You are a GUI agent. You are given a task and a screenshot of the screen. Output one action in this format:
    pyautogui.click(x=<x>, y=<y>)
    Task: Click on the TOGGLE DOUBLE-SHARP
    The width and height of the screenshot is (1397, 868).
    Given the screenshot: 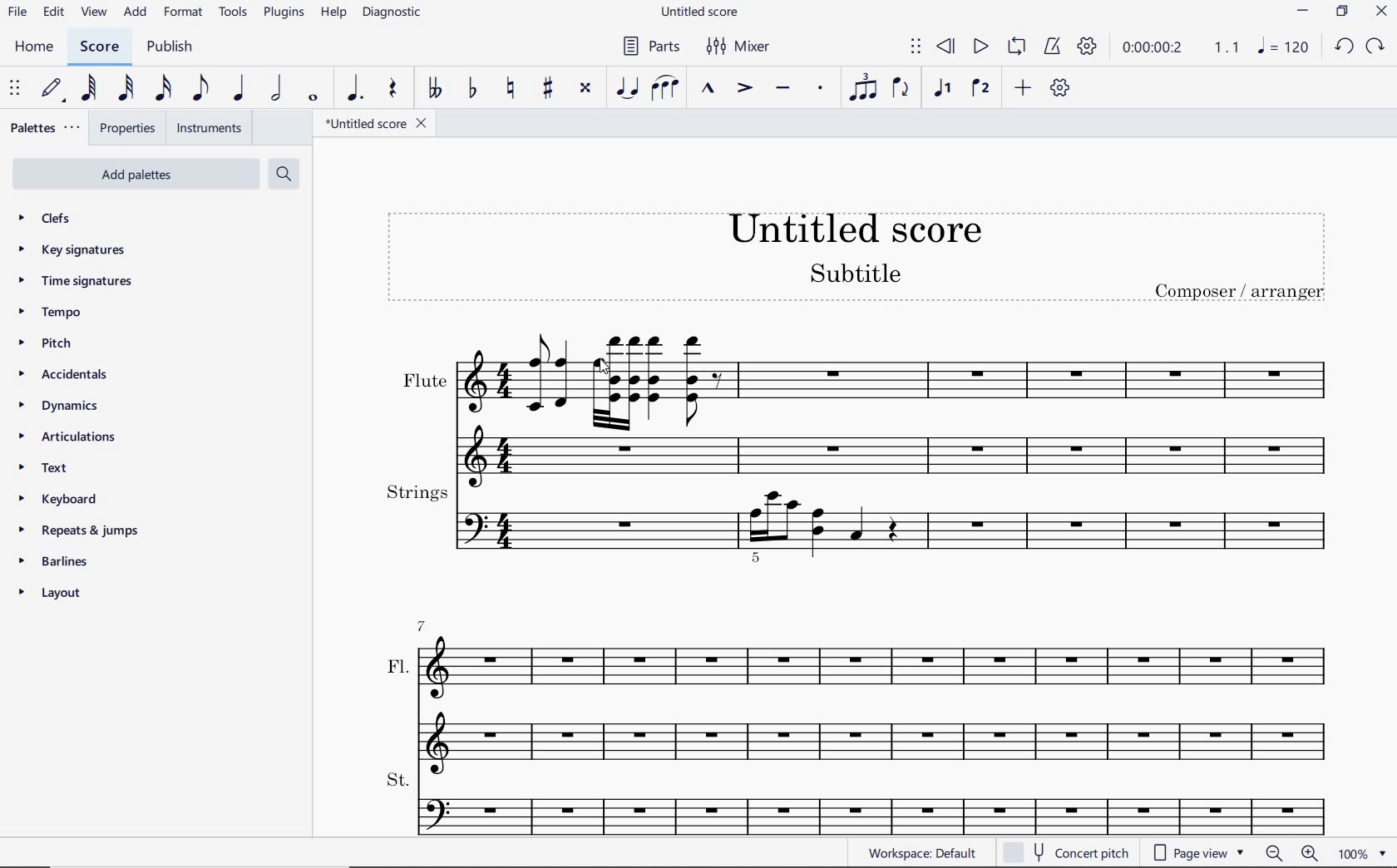 What is the action you would take?
    pyautogui.click(x=585, y=89)
    